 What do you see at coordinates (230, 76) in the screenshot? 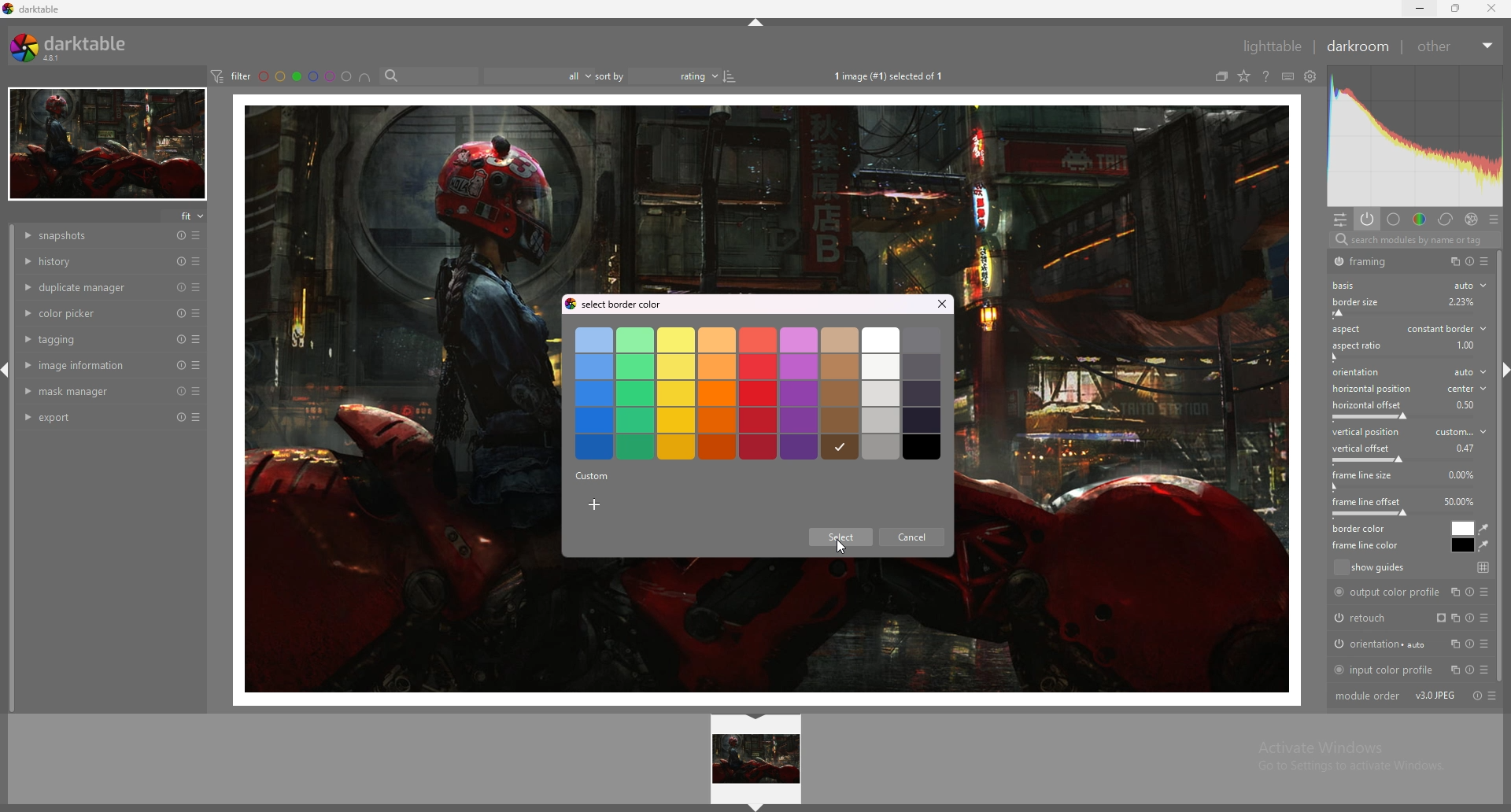
I see `filter` at bounding box center [230, 76].